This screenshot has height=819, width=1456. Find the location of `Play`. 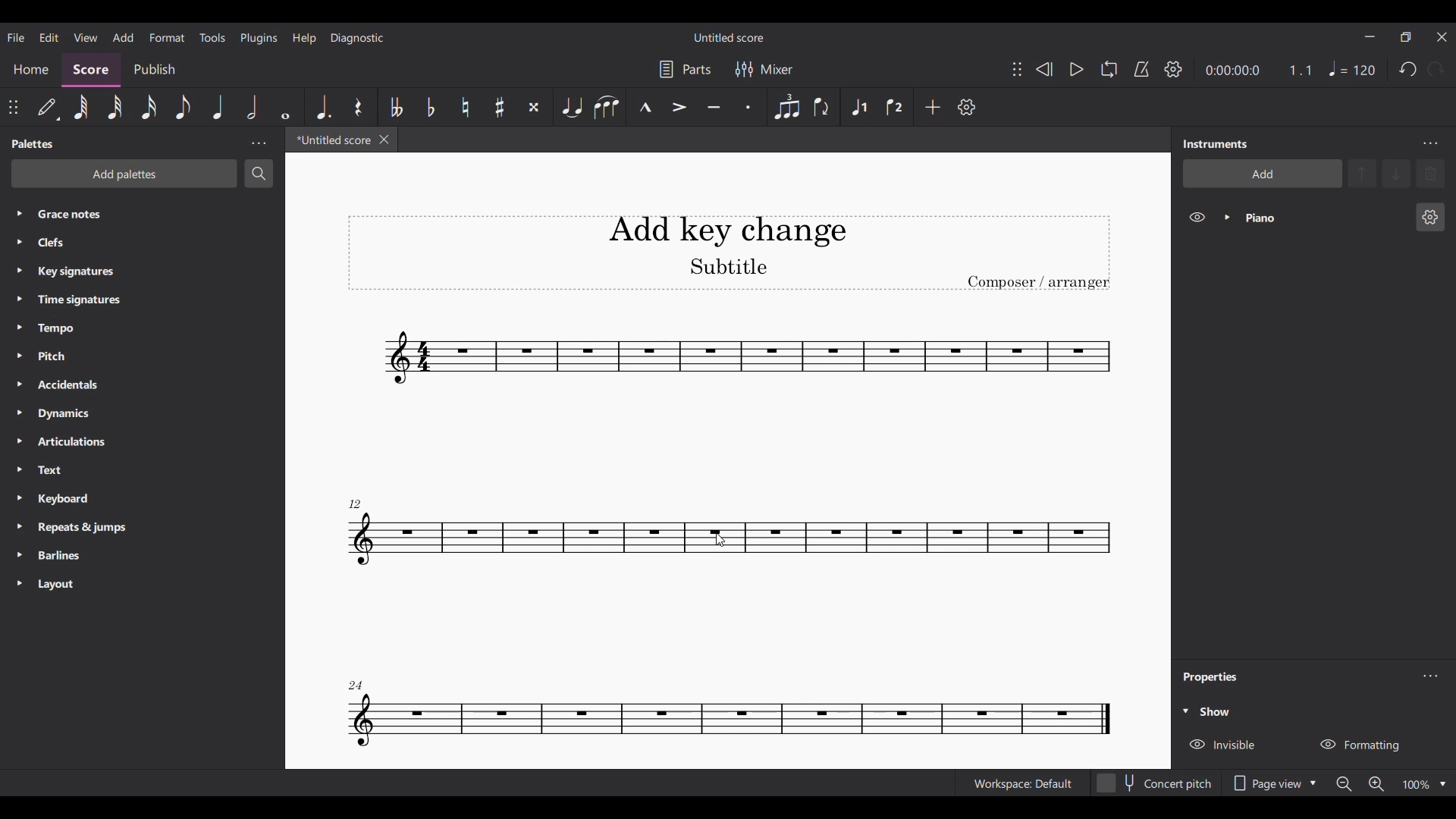

Play is located at coordinates (1076, 69).